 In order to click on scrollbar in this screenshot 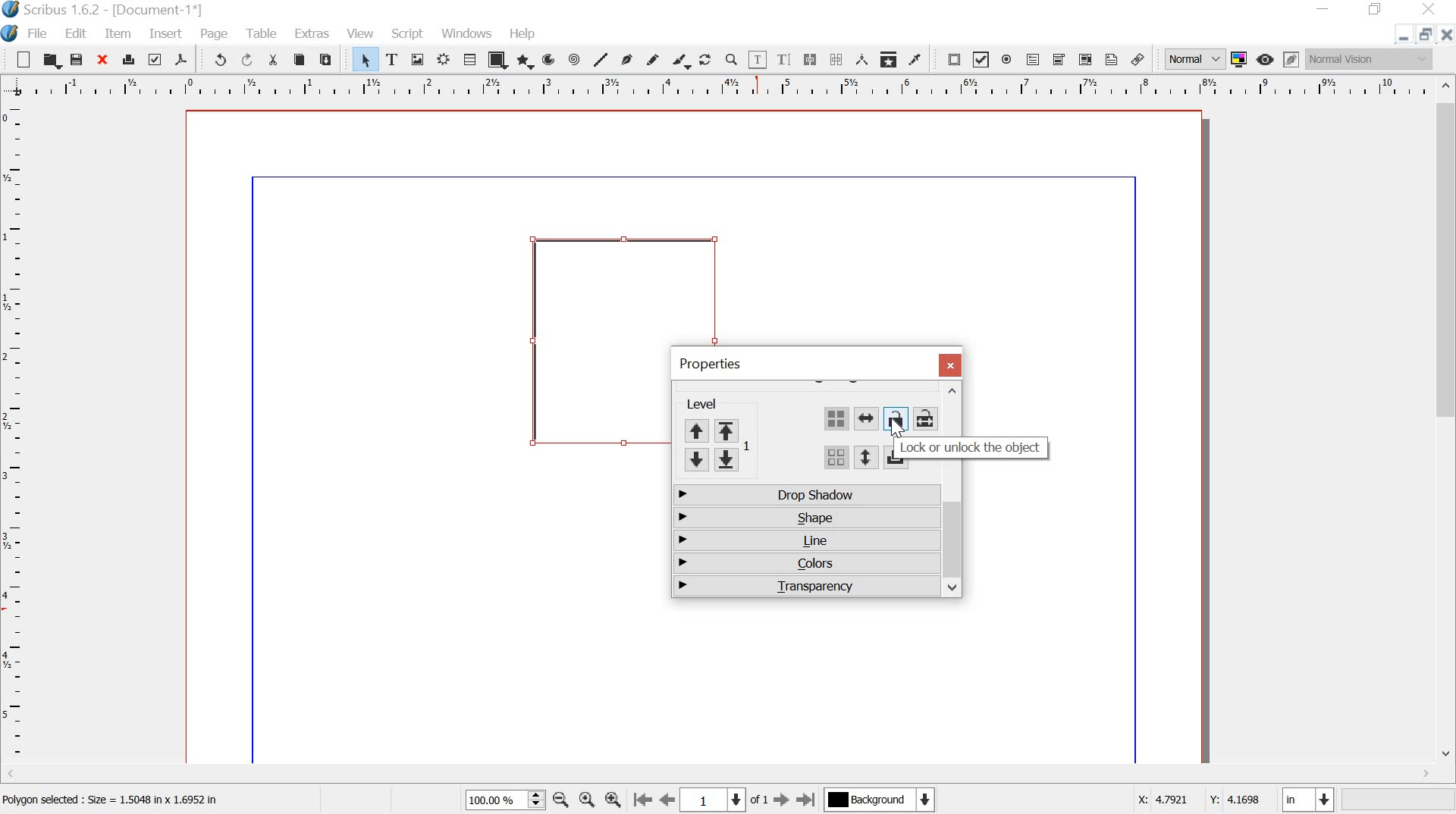, I will do `click(720, 775)`.